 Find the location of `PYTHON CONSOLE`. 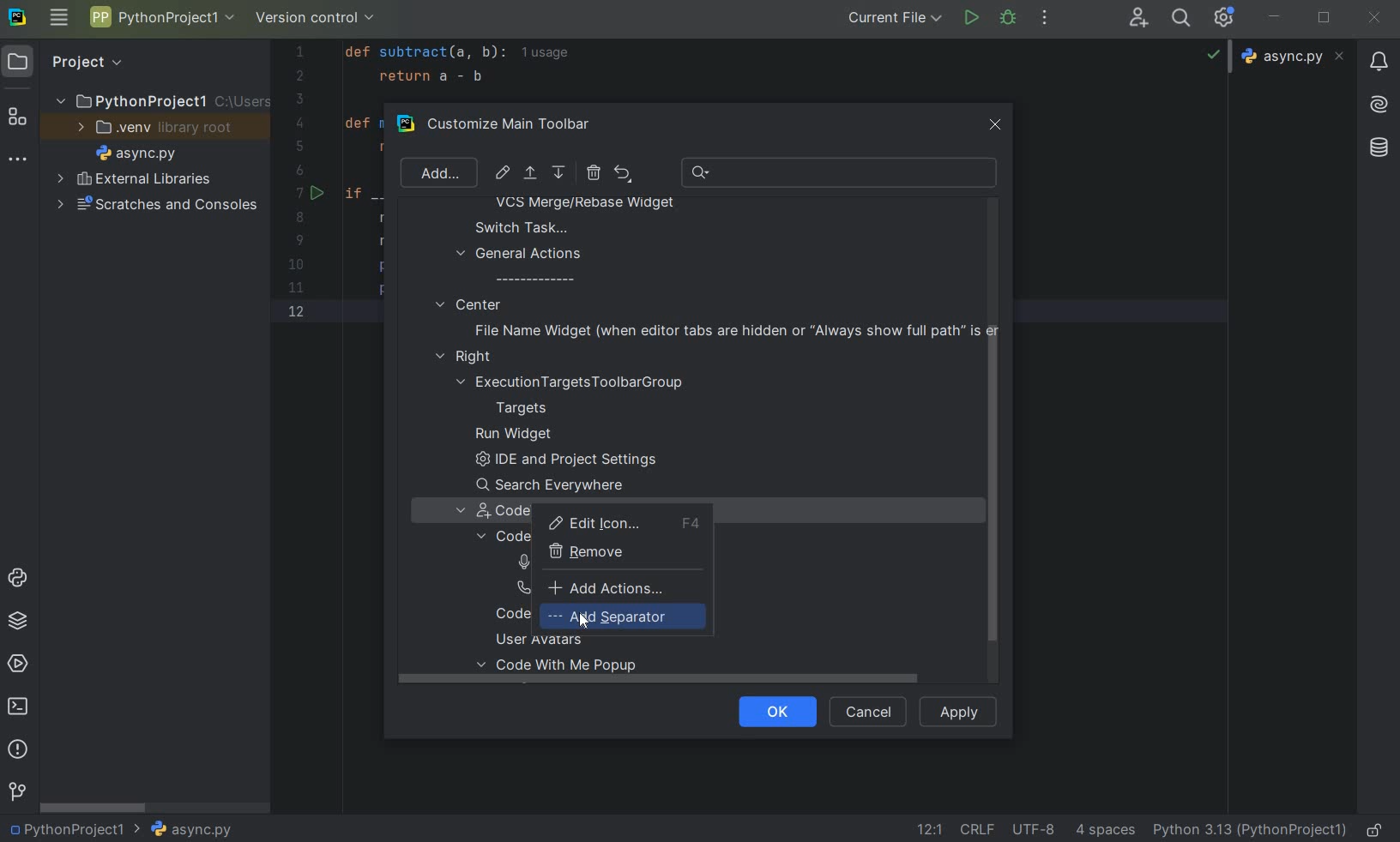

PYTHON CONSOLE is located at coordinates (20, 581).